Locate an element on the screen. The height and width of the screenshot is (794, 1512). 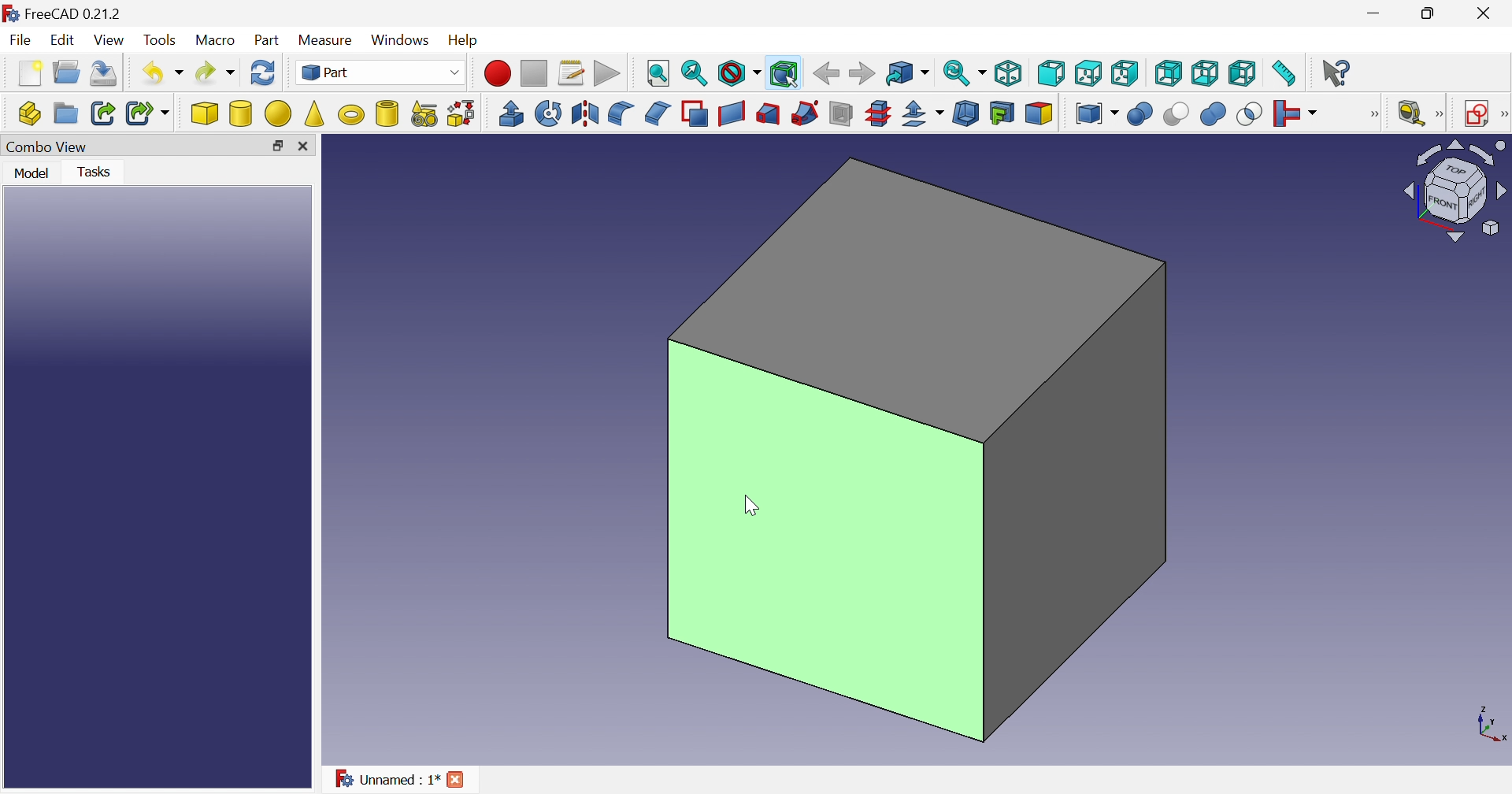
View is located at coordinates (112, 40).